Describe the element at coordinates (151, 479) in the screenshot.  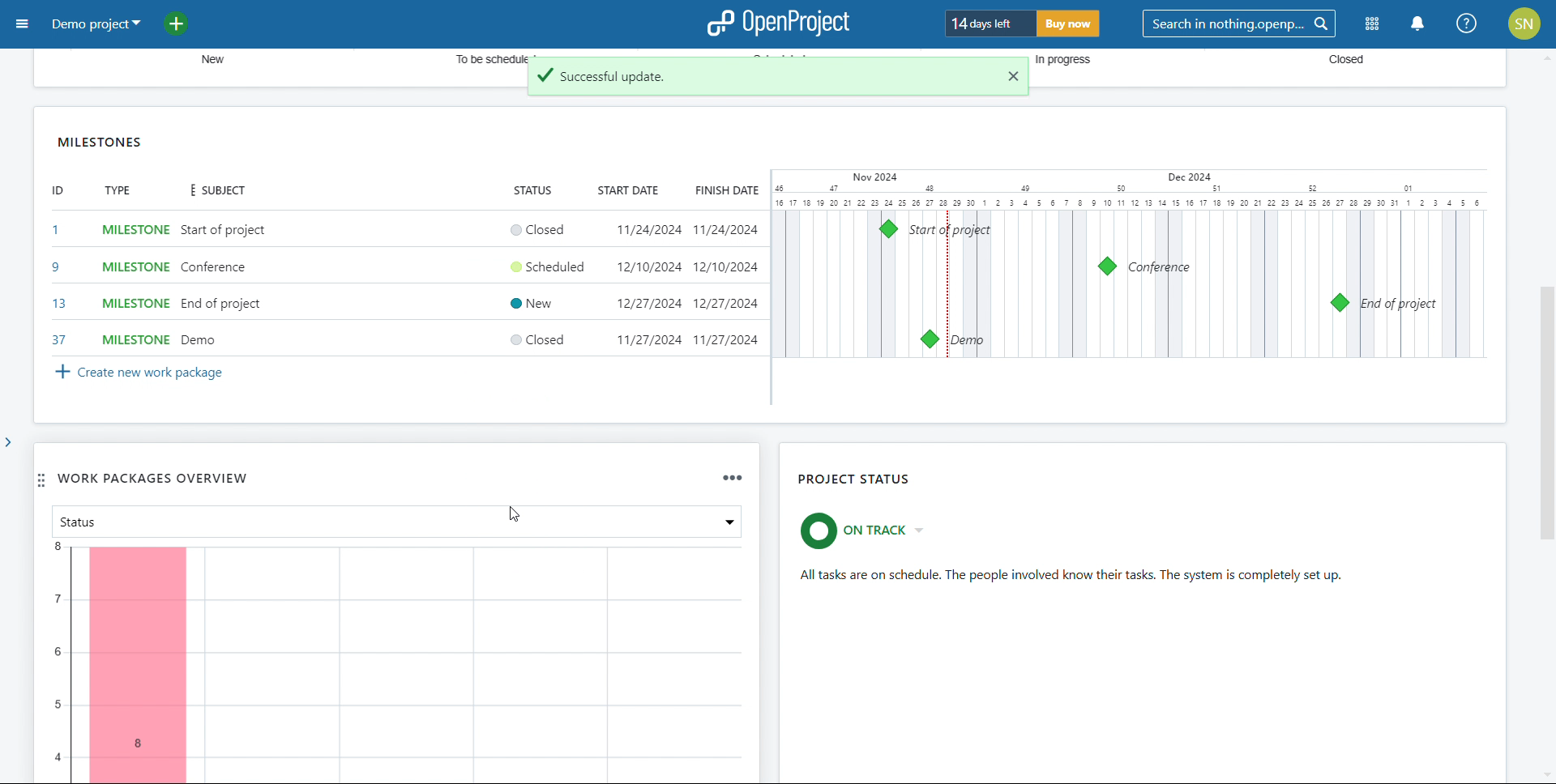
I see `work packages overview` at that location.